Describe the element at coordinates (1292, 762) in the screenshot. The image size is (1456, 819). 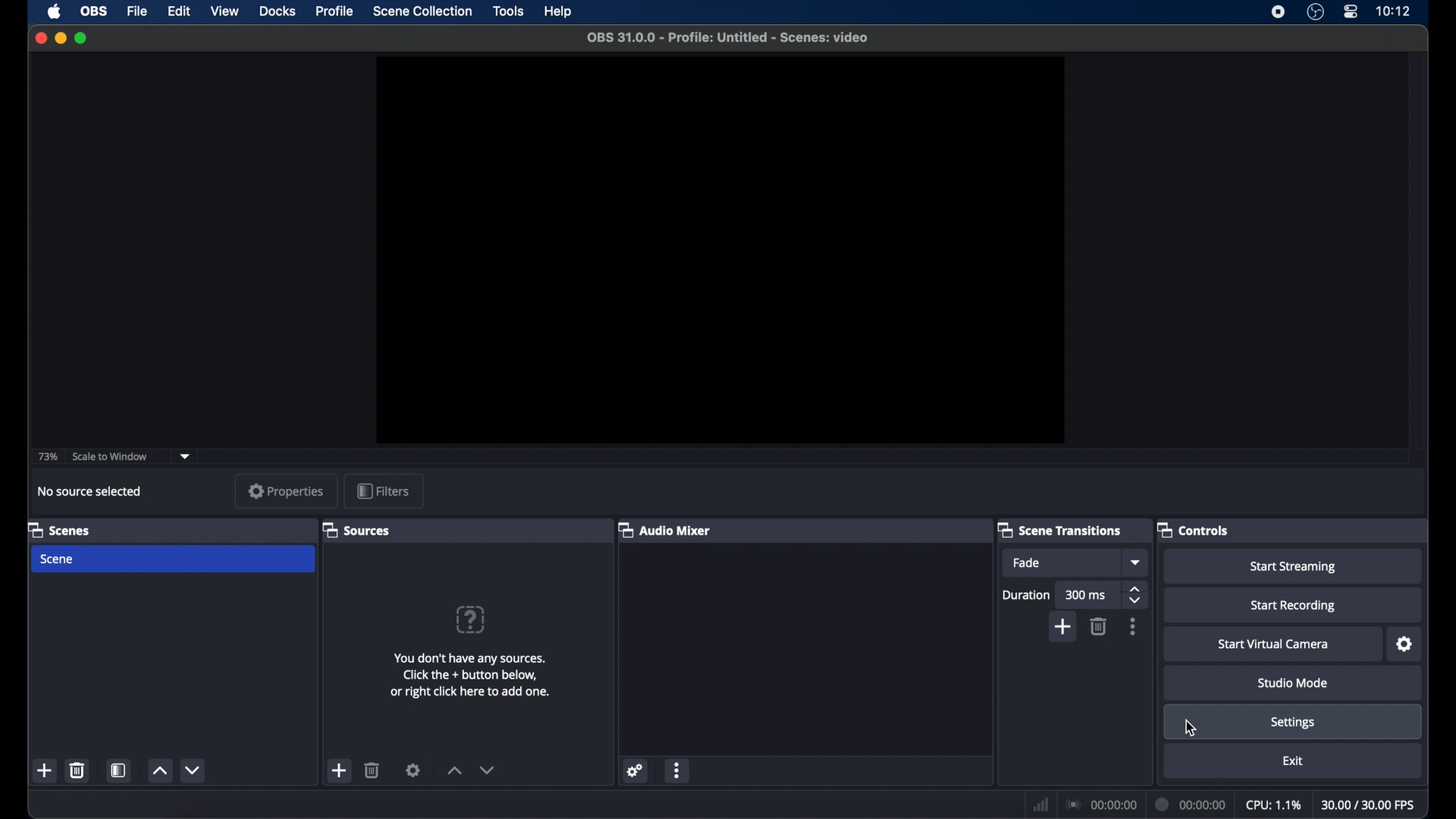
I see `exit` at that location.